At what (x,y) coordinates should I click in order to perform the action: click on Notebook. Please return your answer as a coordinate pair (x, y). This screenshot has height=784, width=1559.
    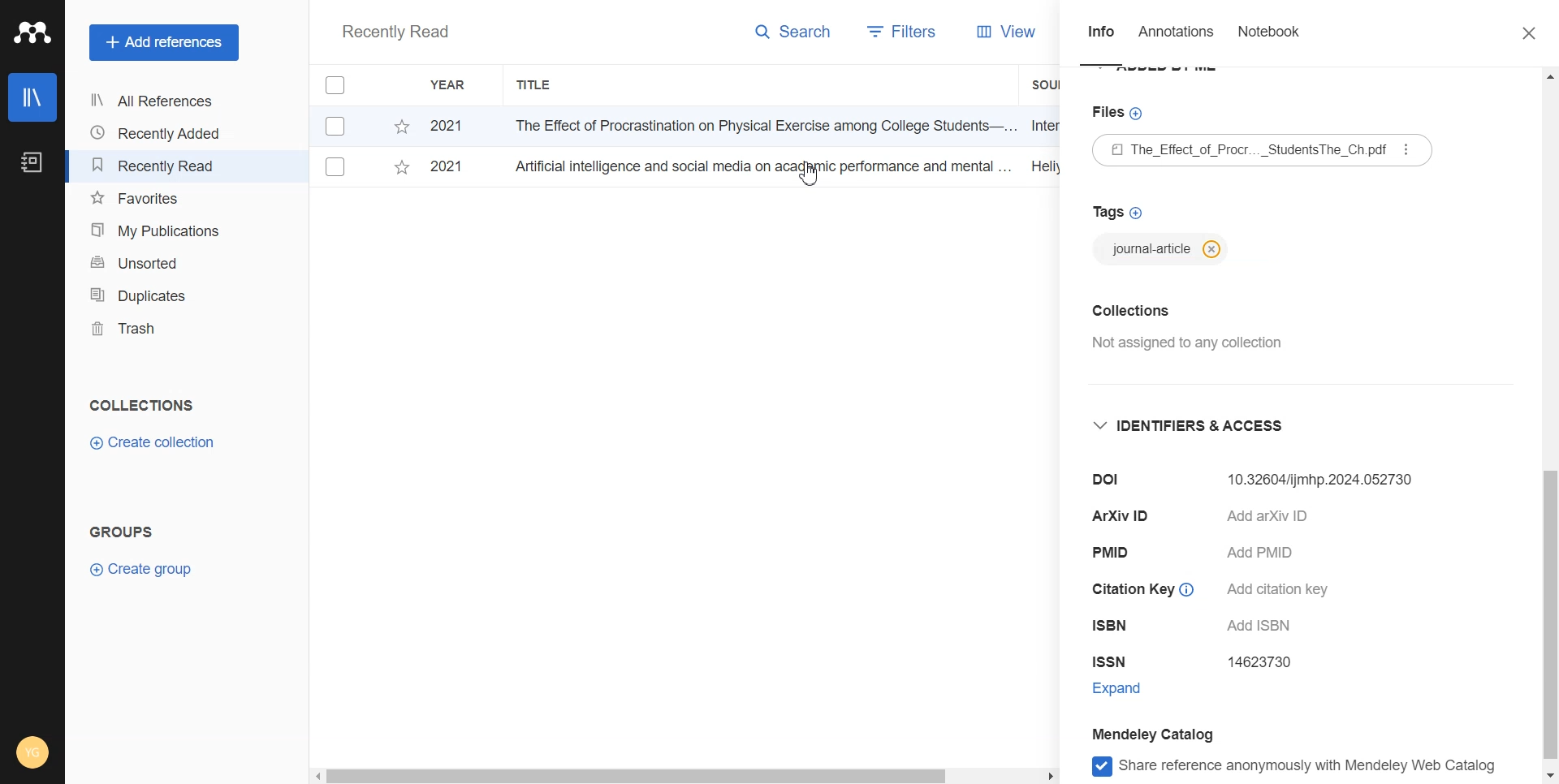
    Looking at the image, I should click on (1268, 35).